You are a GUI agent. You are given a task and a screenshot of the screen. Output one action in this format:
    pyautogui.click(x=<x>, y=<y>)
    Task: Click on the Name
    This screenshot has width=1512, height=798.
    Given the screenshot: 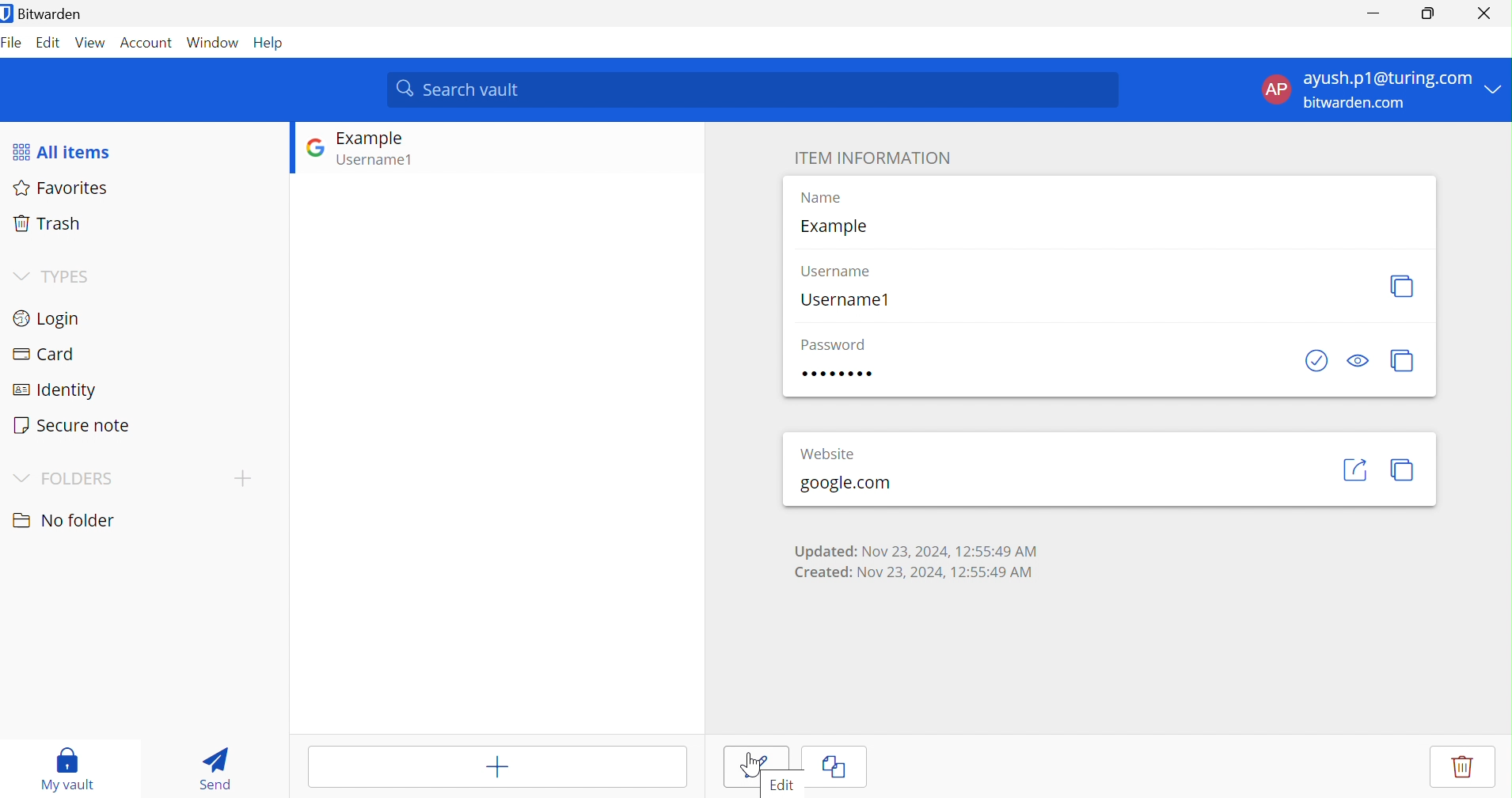 What is the action you would take?
    pyautogui.click(x=820, y=197)
    